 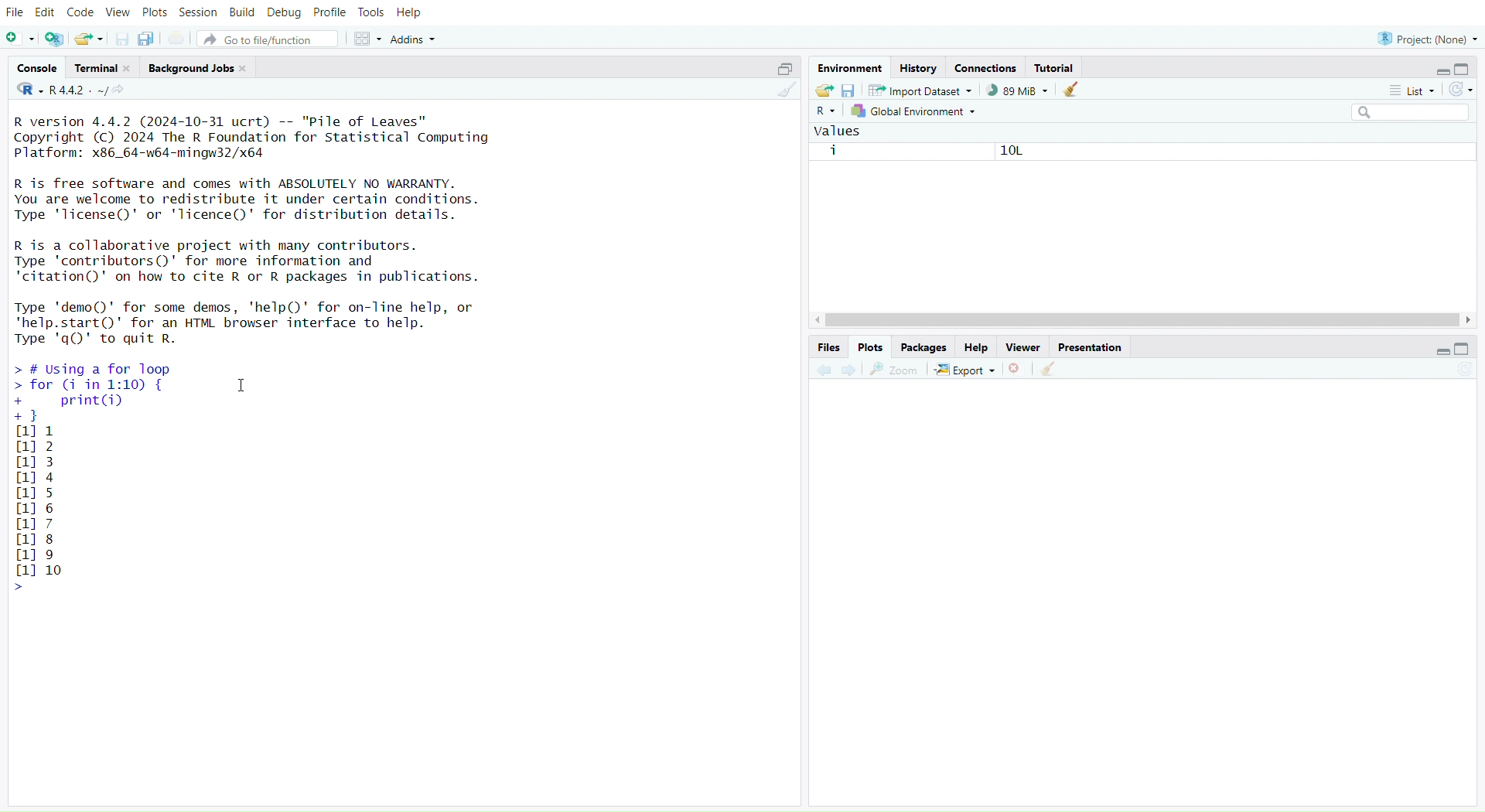 What do you see at coordinates (134, 391) in the screenshot?
I see `> # Using a for loop for (i in 1:10) { print(i)}` at bounding box center [134, 391].